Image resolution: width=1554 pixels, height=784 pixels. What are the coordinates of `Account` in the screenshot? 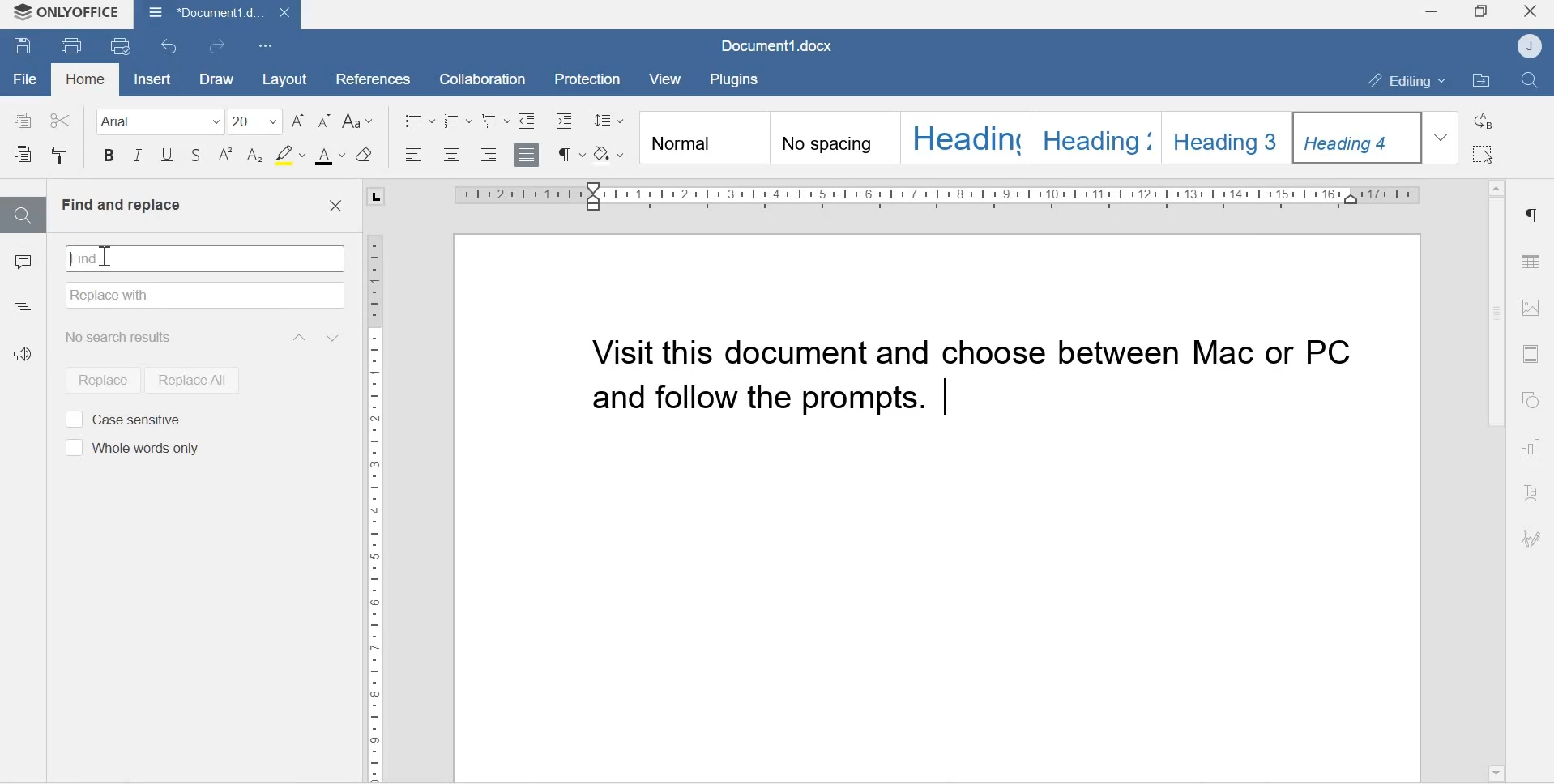 It's located at (1532, 46).